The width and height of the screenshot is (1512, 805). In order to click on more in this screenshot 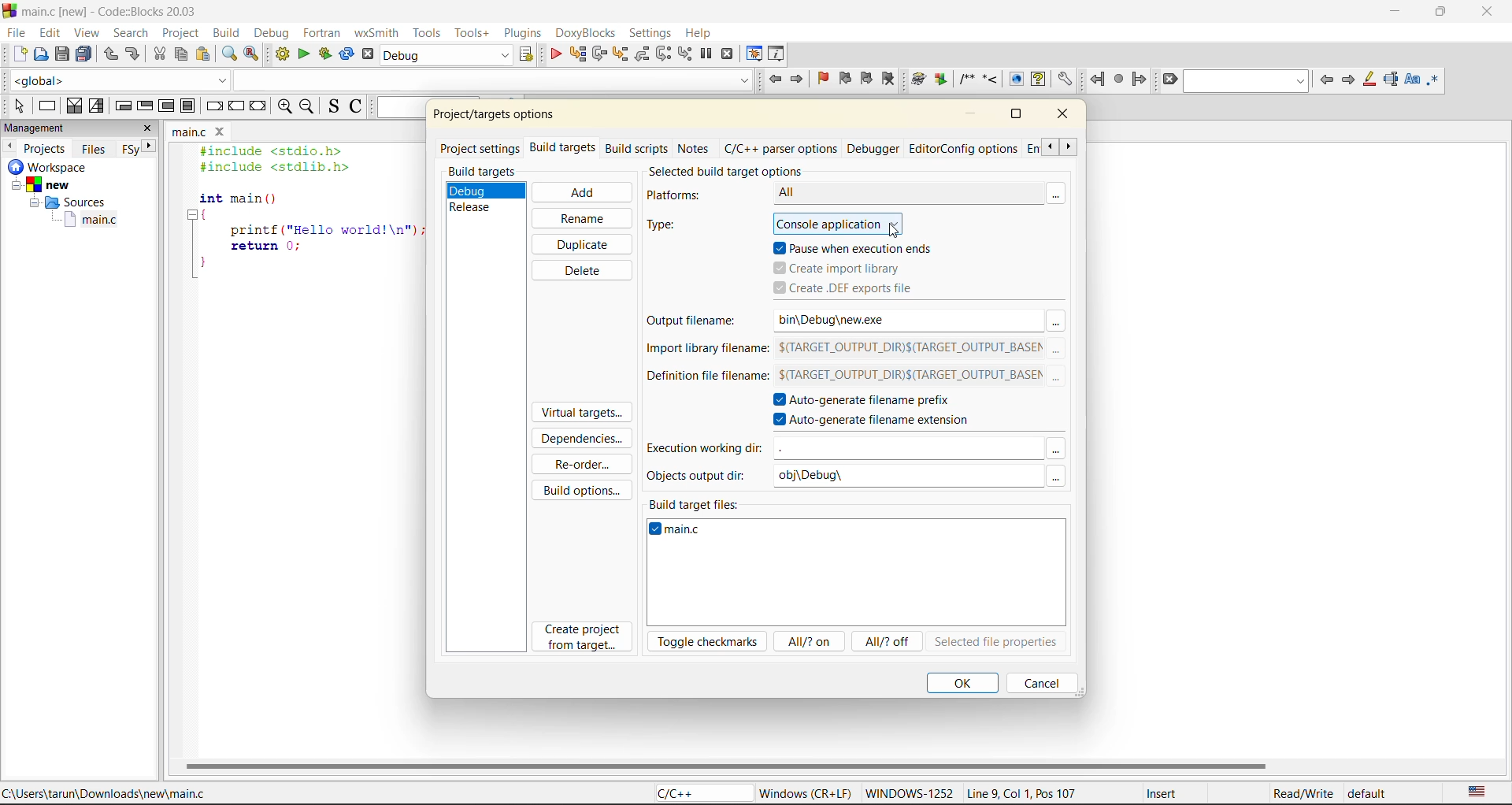, I will do `click(1054, 191)`.